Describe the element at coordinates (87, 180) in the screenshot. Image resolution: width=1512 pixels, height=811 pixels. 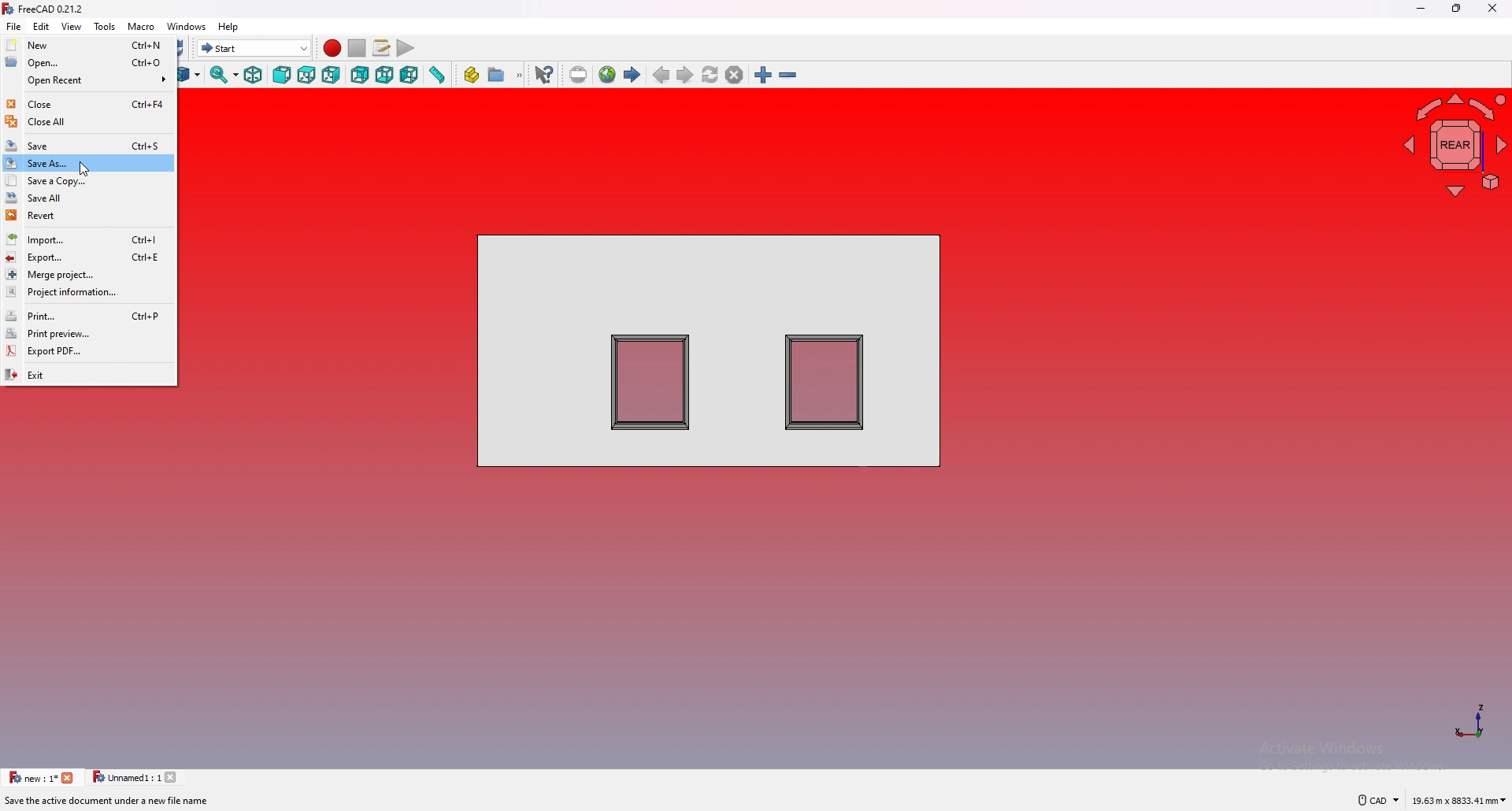
I see `save a copy` at that location.